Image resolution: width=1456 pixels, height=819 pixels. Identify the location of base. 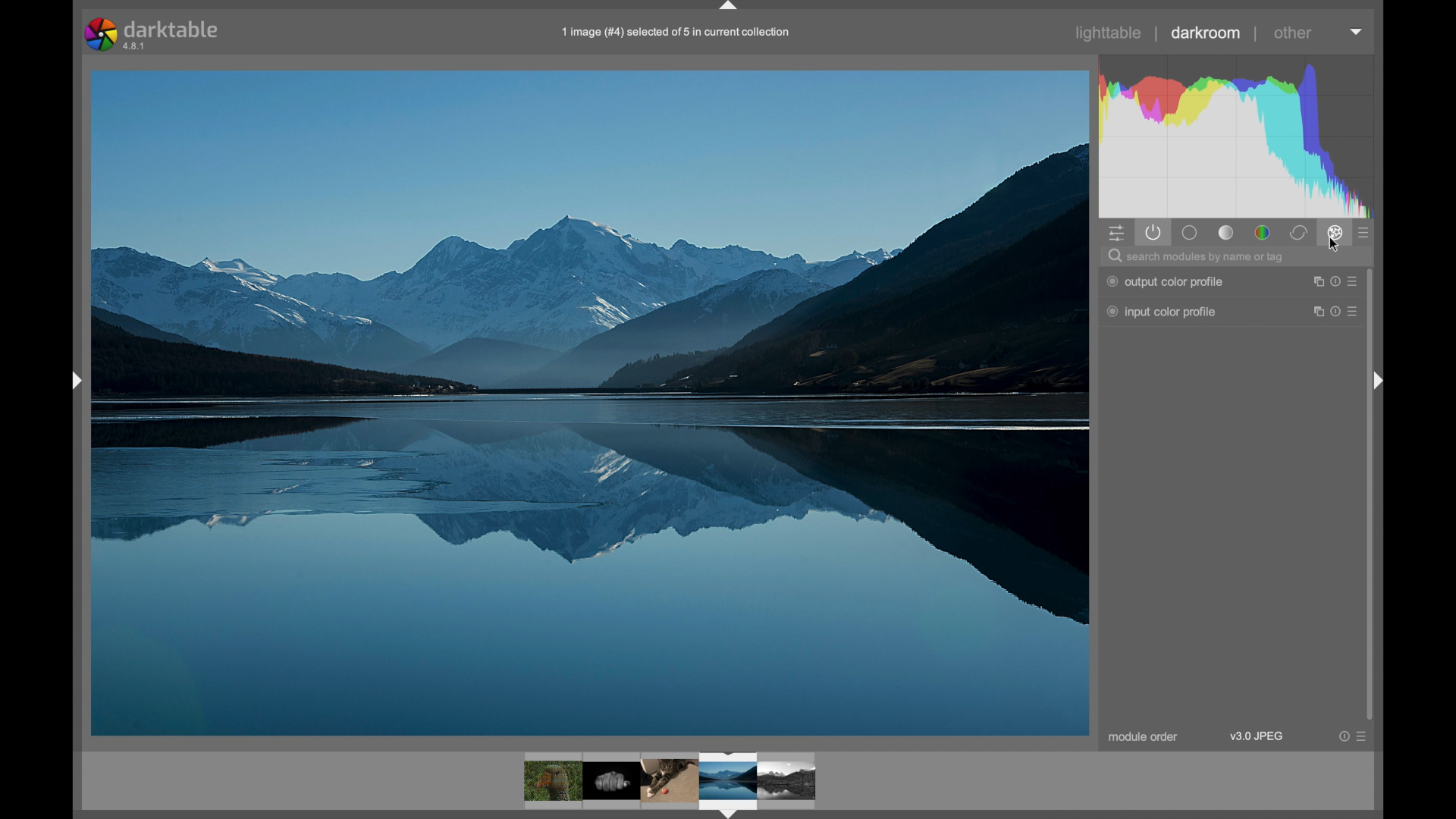
(1227, 234).